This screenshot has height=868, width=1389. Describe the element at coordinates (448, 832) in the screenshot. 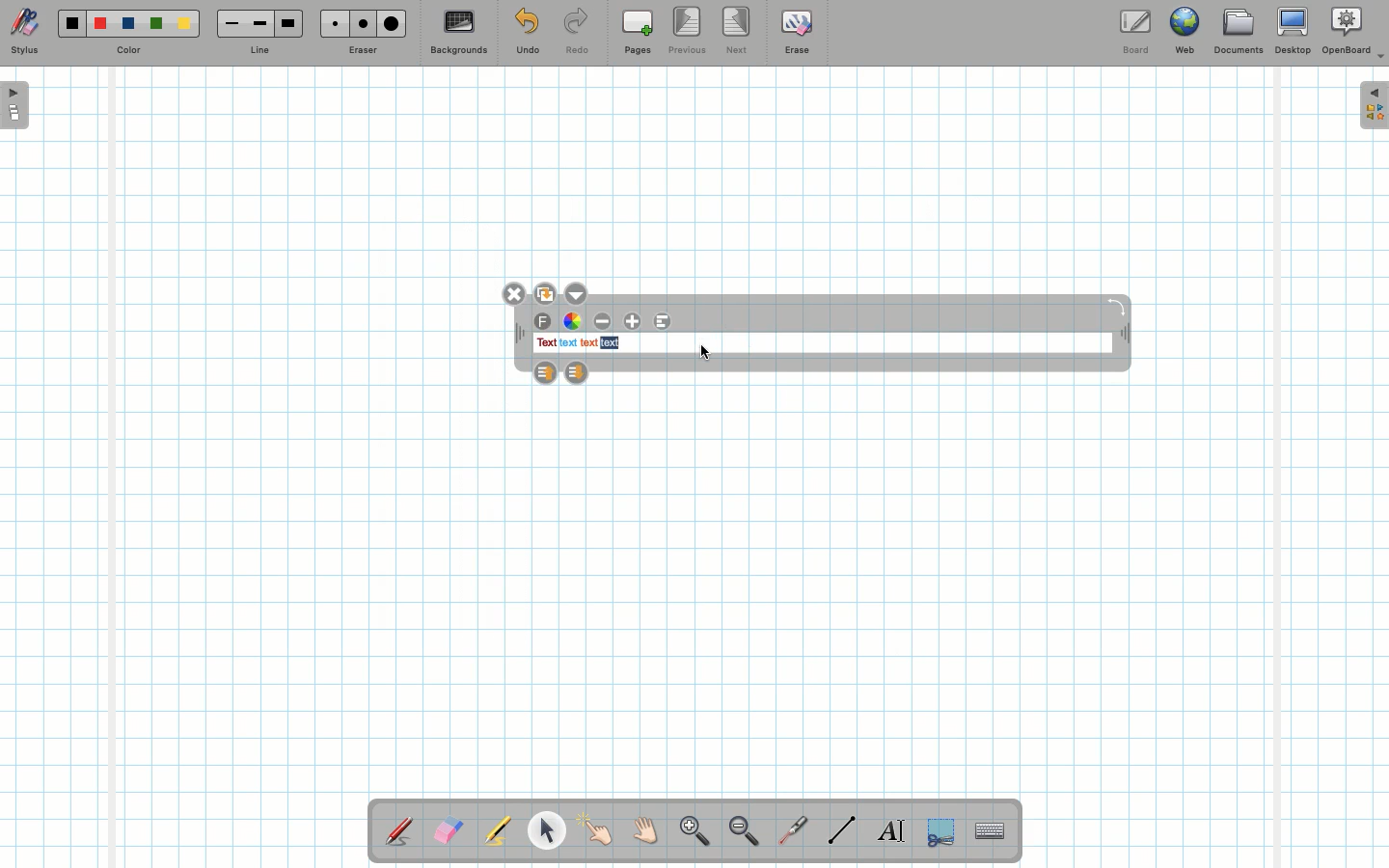

I see `Eraser` at that location.